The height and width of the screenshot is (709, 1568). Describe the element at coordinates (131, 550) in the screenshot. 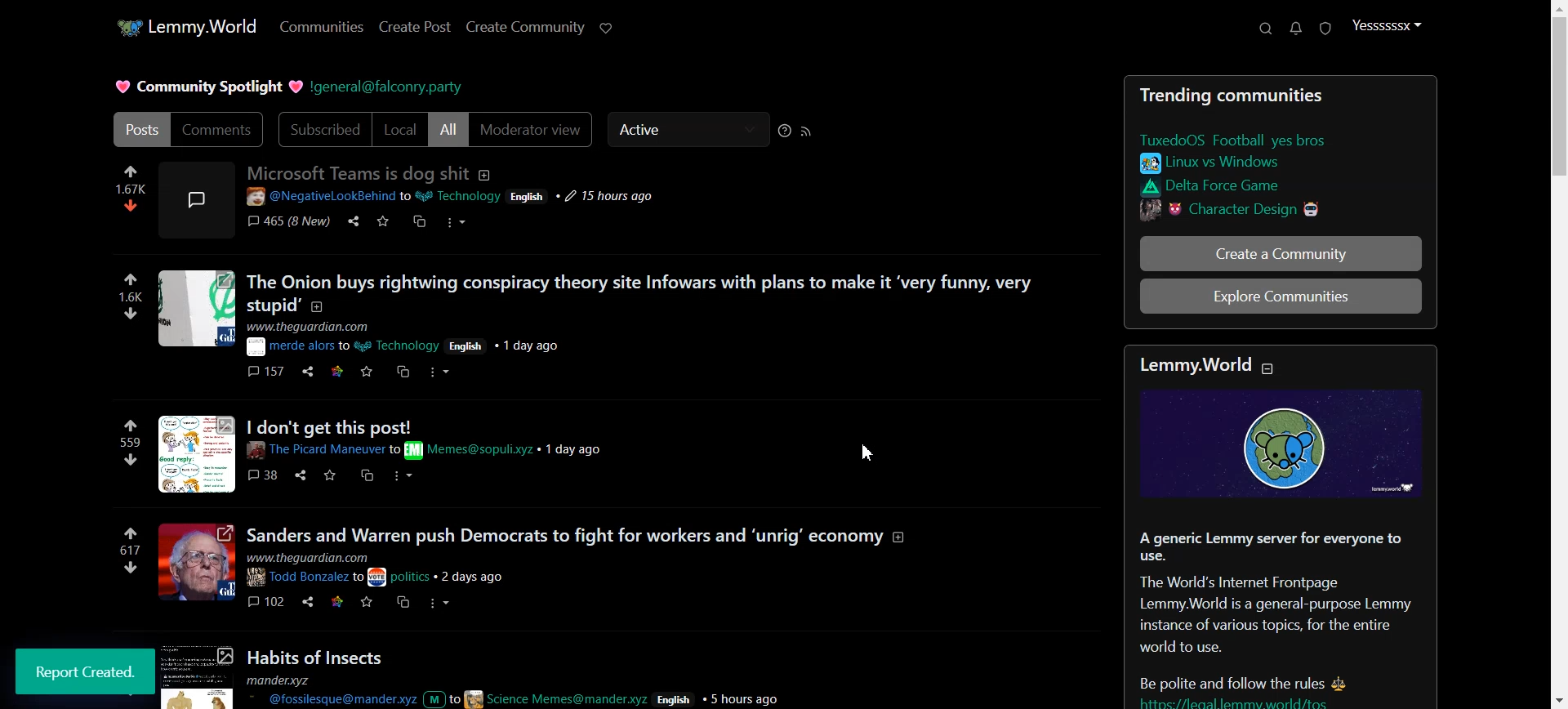

I see `numbers` at that location.